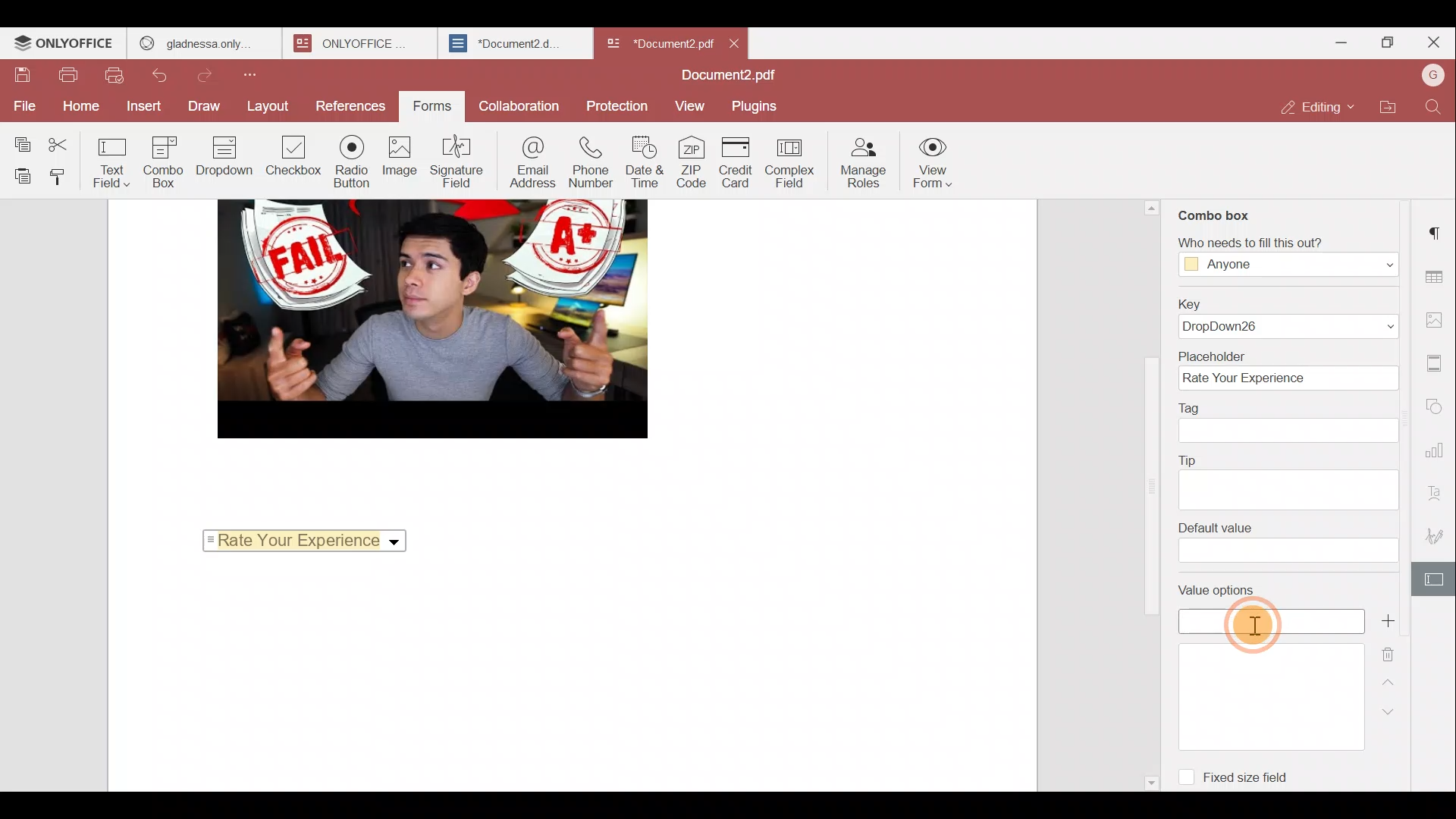  I want to click on Home, so click(77, 108).